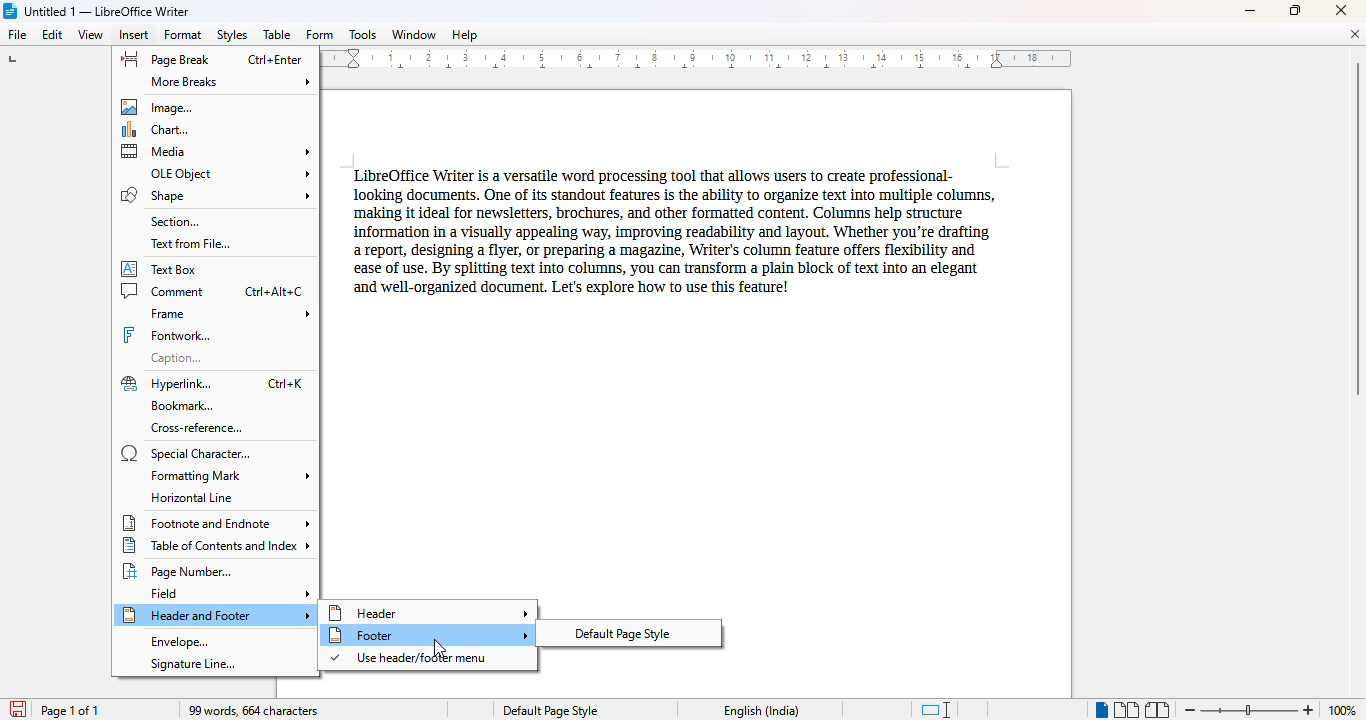 The image size is (1366, 720). I want to click on envelope, so click(179, 642).